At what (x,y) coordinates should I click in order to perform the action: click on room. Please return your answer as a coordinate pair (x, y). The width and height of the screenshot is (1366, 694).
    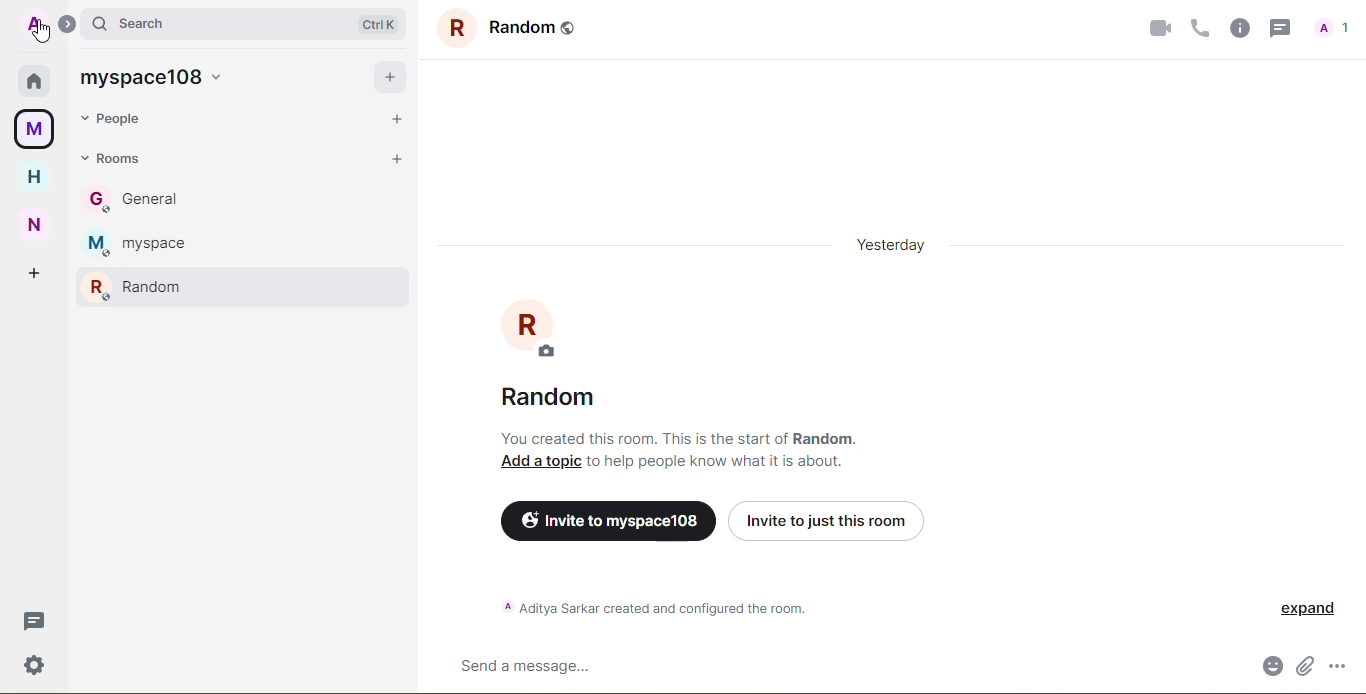
    Looking at the image, I should click on (133, 286).